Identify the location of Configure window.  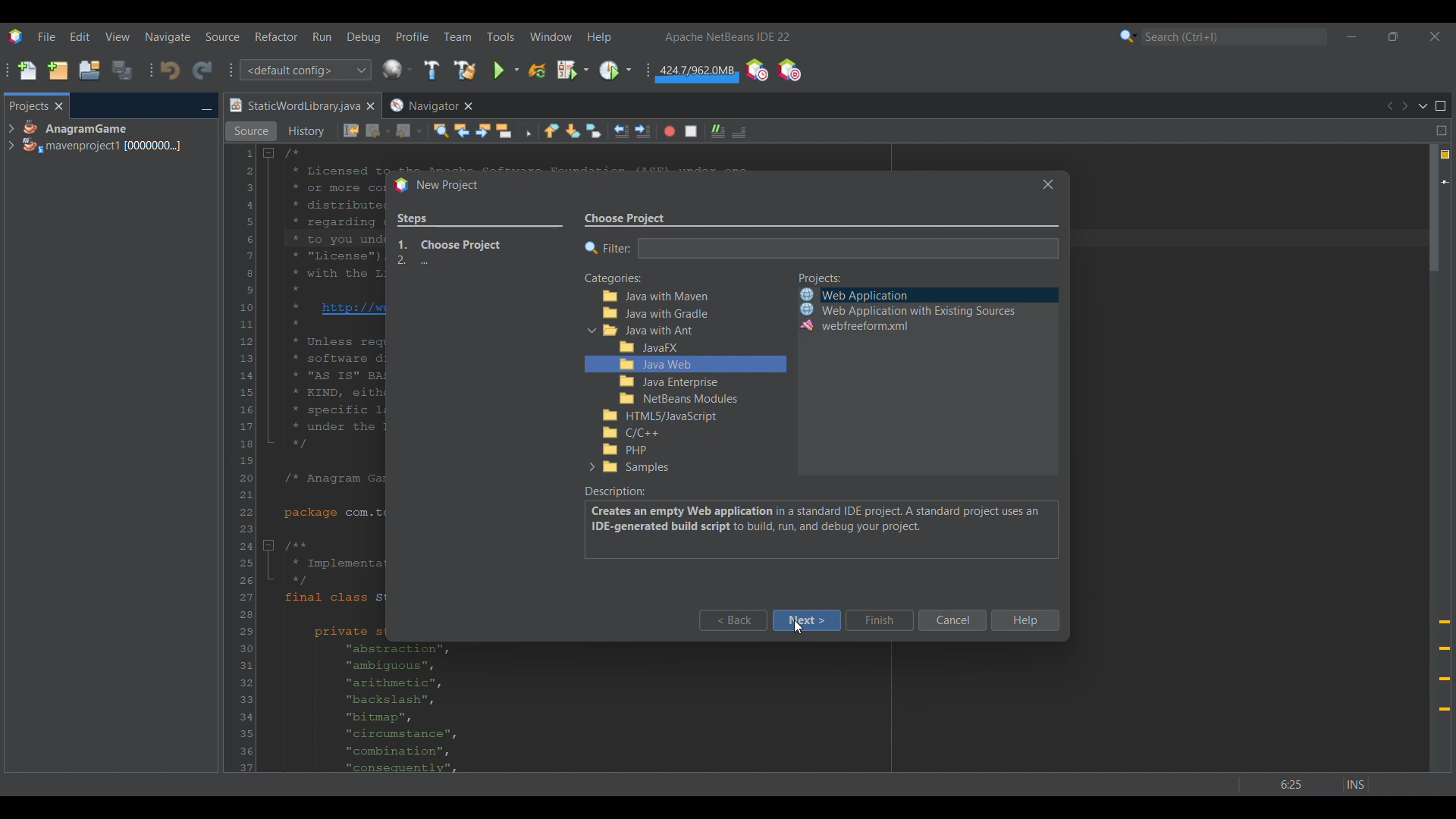
(397, 69).